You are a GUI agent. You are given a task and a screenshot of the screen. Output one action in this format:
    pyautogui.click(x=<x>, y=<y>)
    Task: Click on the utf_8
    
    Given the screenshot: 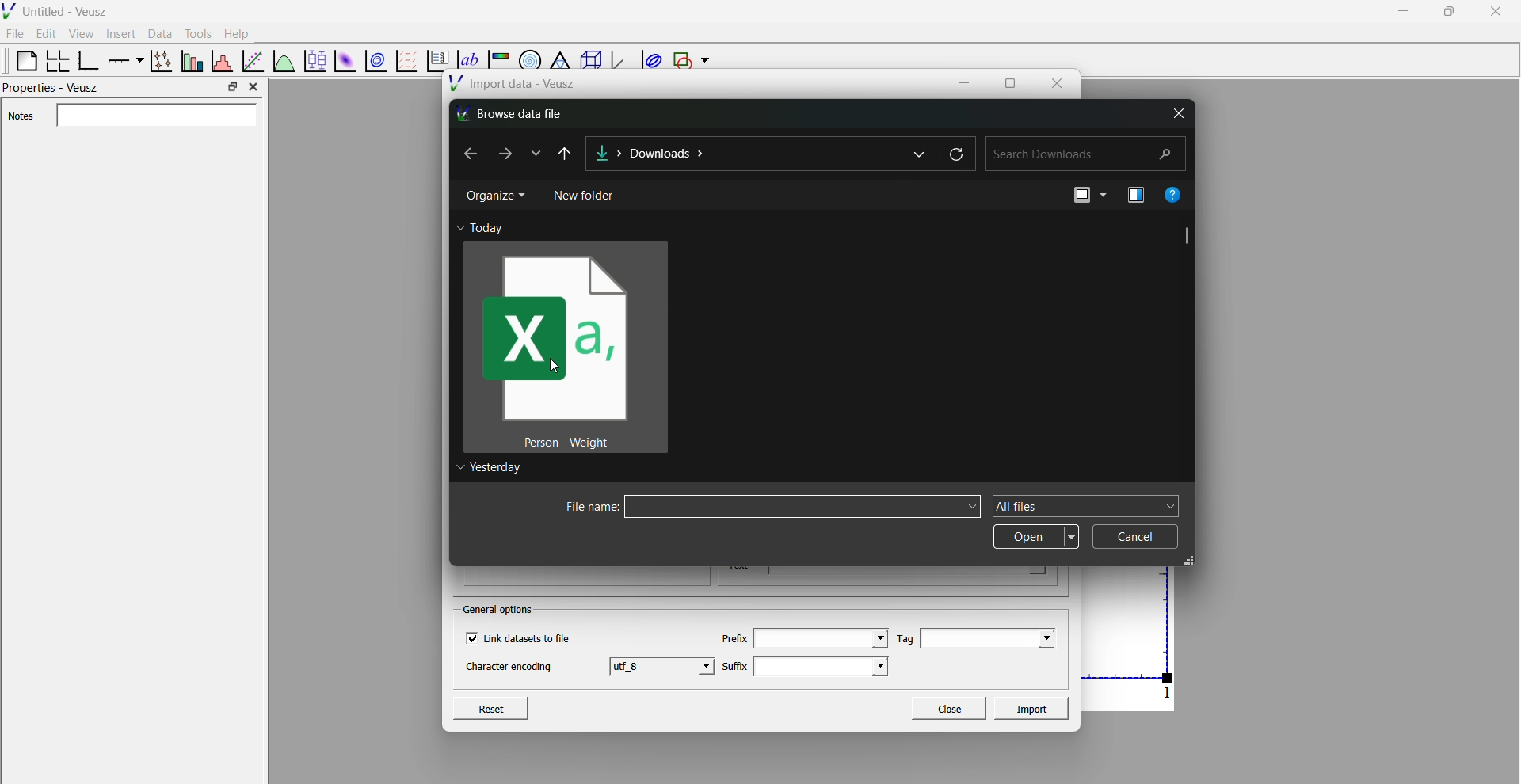 What is the action you would take?
    pyautogui.click(x=663, y=665)
    